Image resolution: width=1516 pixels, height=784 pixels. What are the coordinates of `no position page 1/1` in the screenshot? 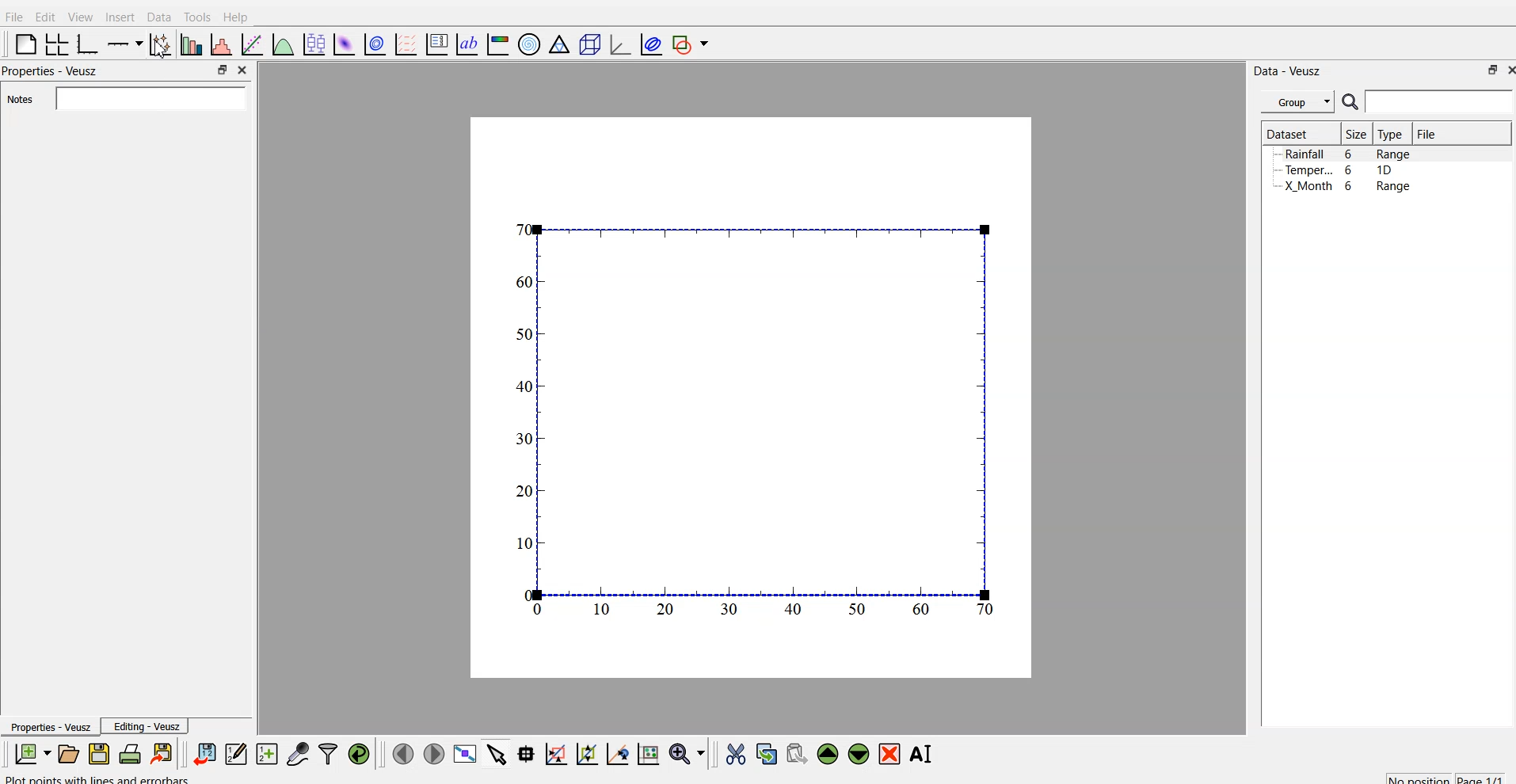 It's located at (1445, 775).